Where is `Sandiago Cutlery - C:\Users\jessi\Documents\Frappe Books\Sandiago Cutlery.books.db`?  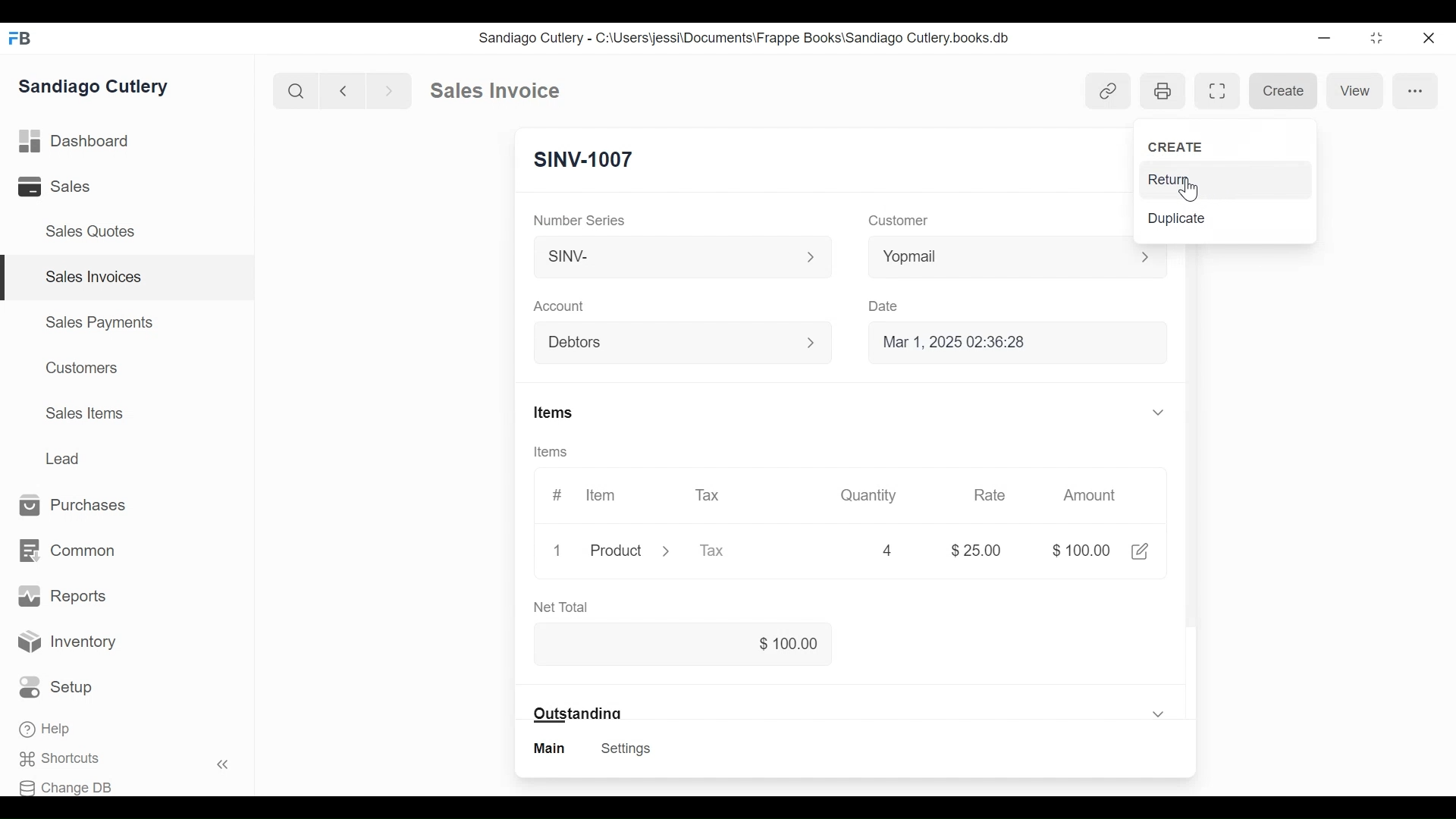
Sandiago Cutlery - C:\Users\jessi\Documents\Frappe Books\Sandiago Cutlery.books.db is located at coordinates (745, 39).